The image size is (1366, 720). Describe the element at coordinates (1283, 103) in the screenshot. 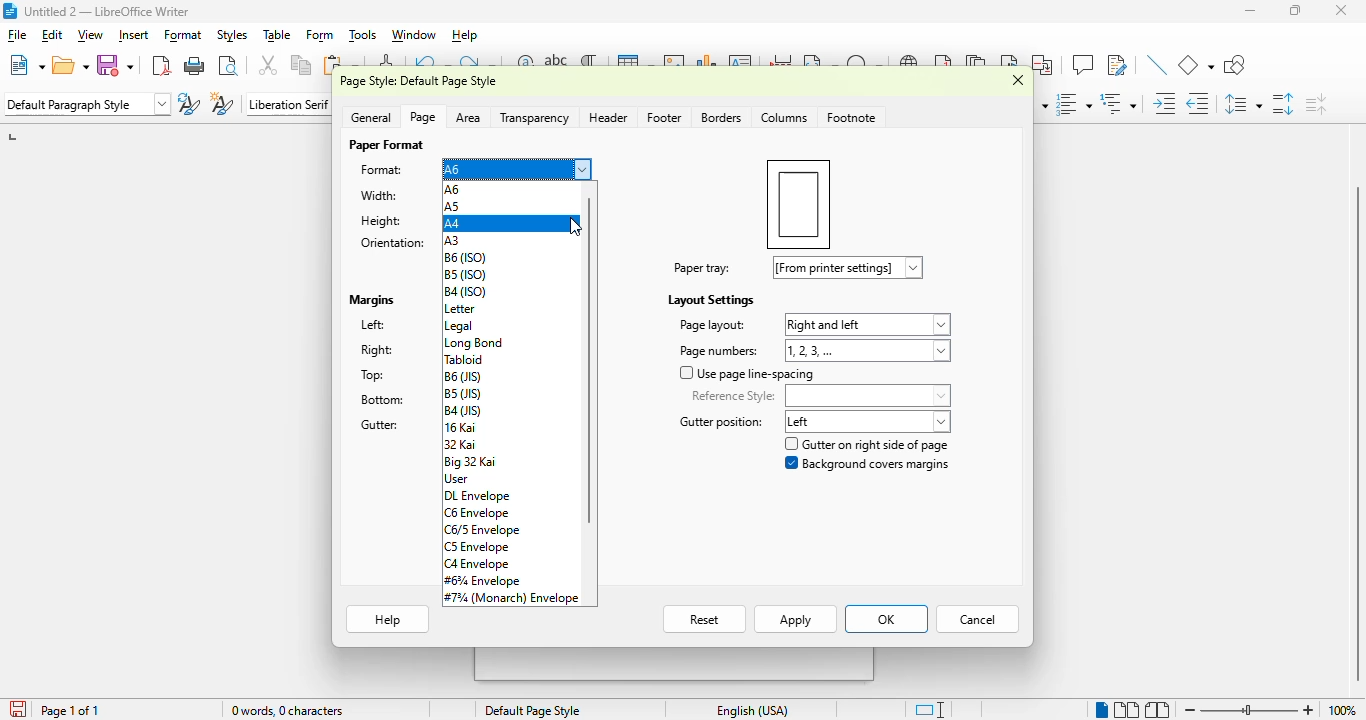

I see `increase paragraph spacing` at that location.